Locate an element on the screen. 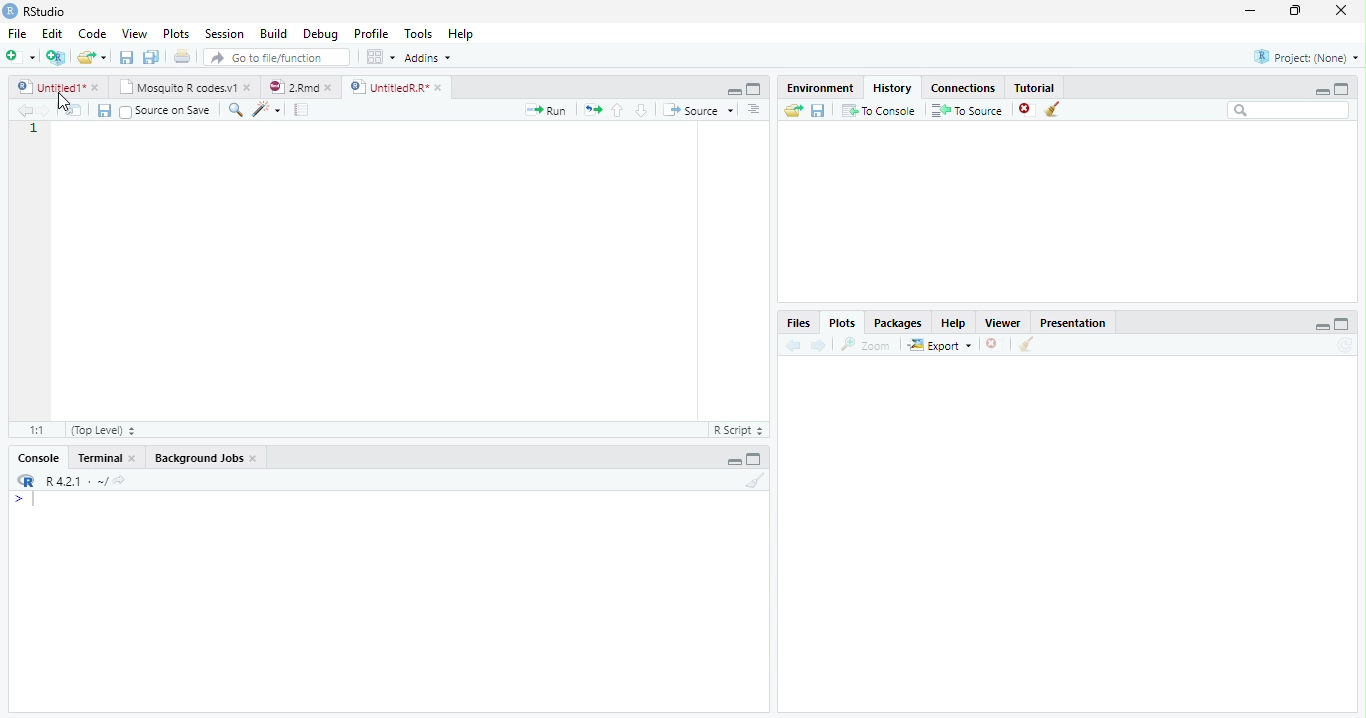  Go to next section/chunk is located at coordinates (641, 110).